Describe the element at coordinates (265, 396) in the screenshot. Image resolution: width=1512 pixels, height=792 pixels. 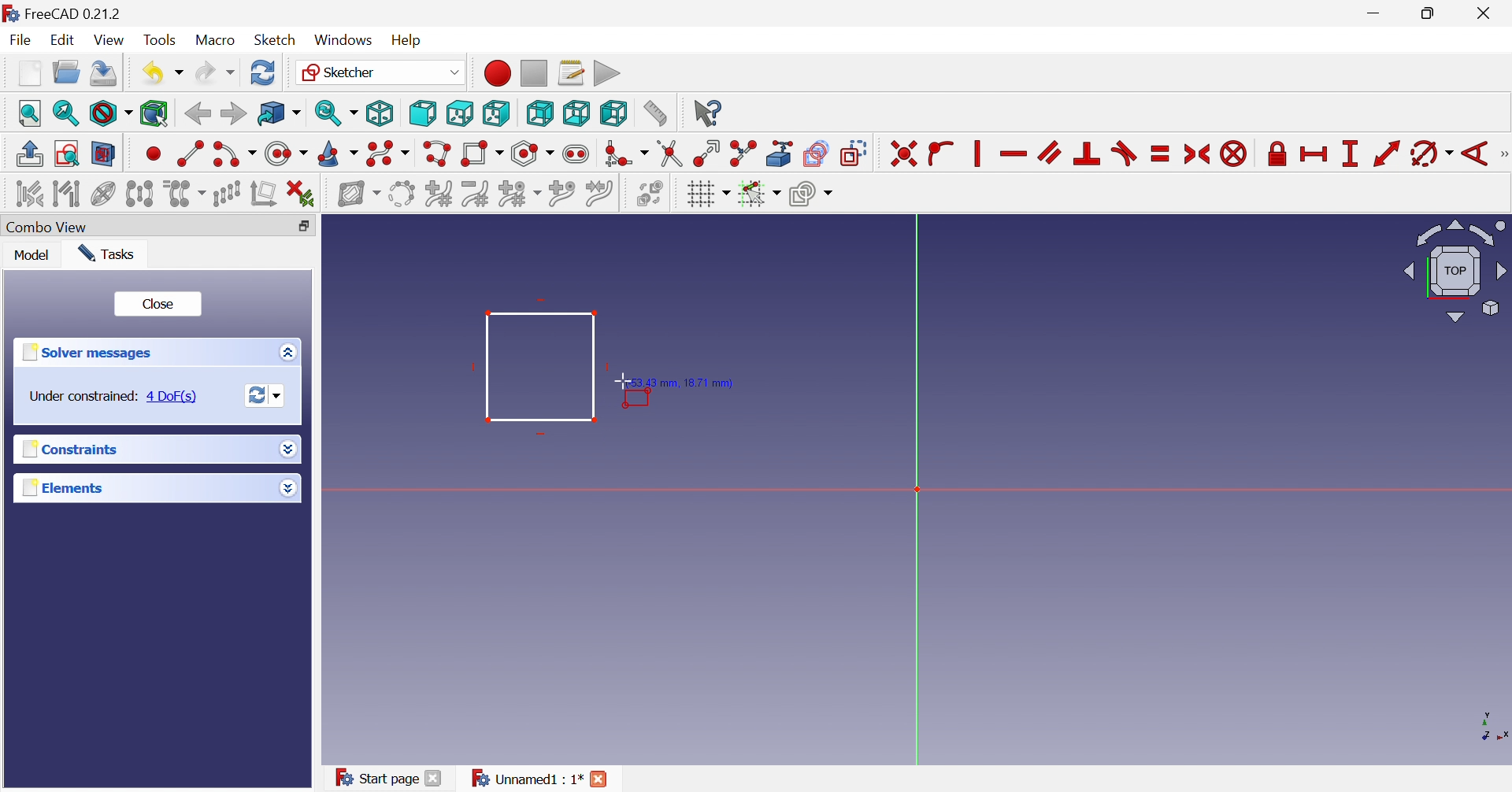
I see `Forces recomputation of active document` at that location.